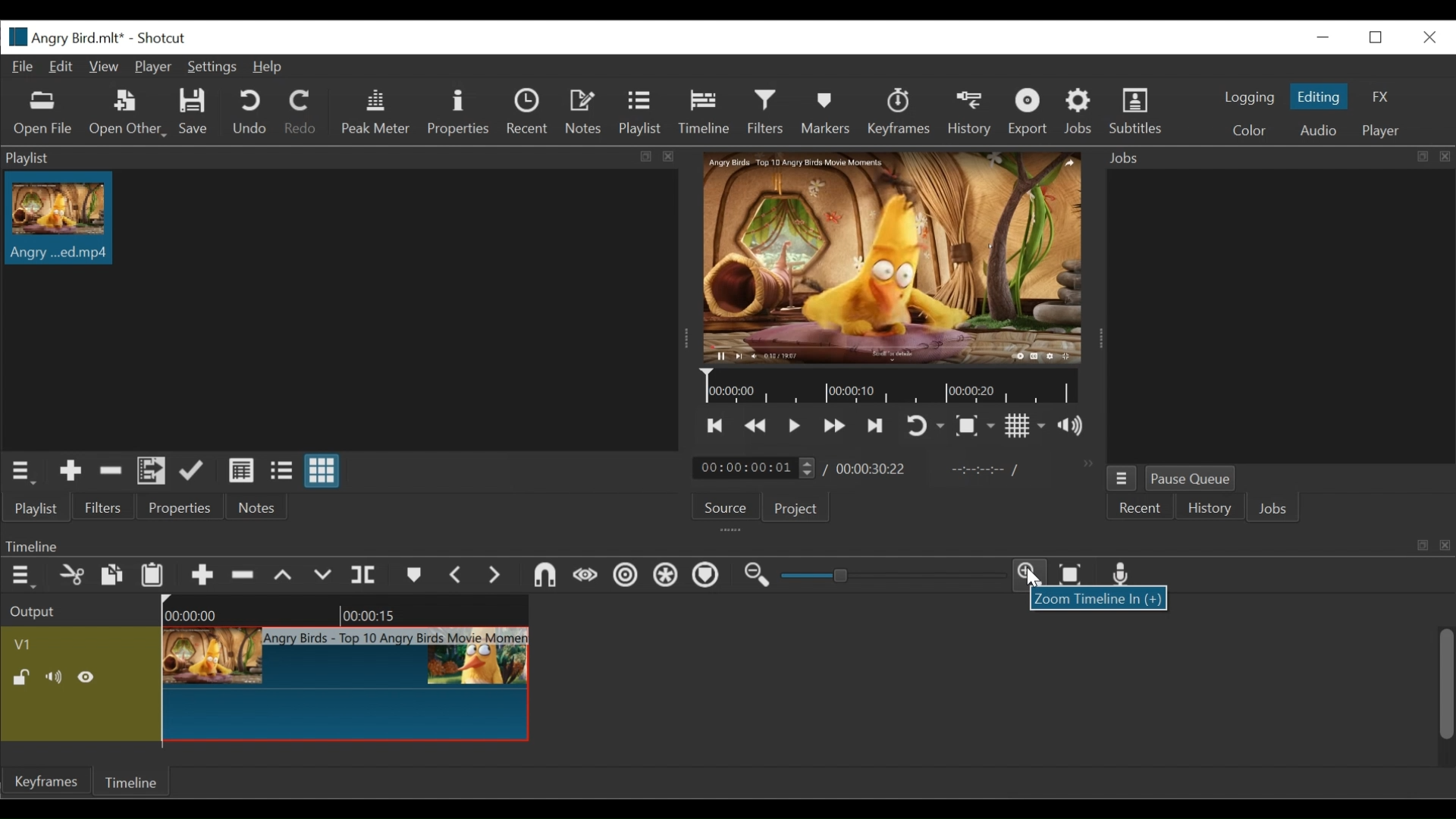  Describe the element at coordinates (243, 576) in the screenshot. I see `Ripple Delete` at that location.